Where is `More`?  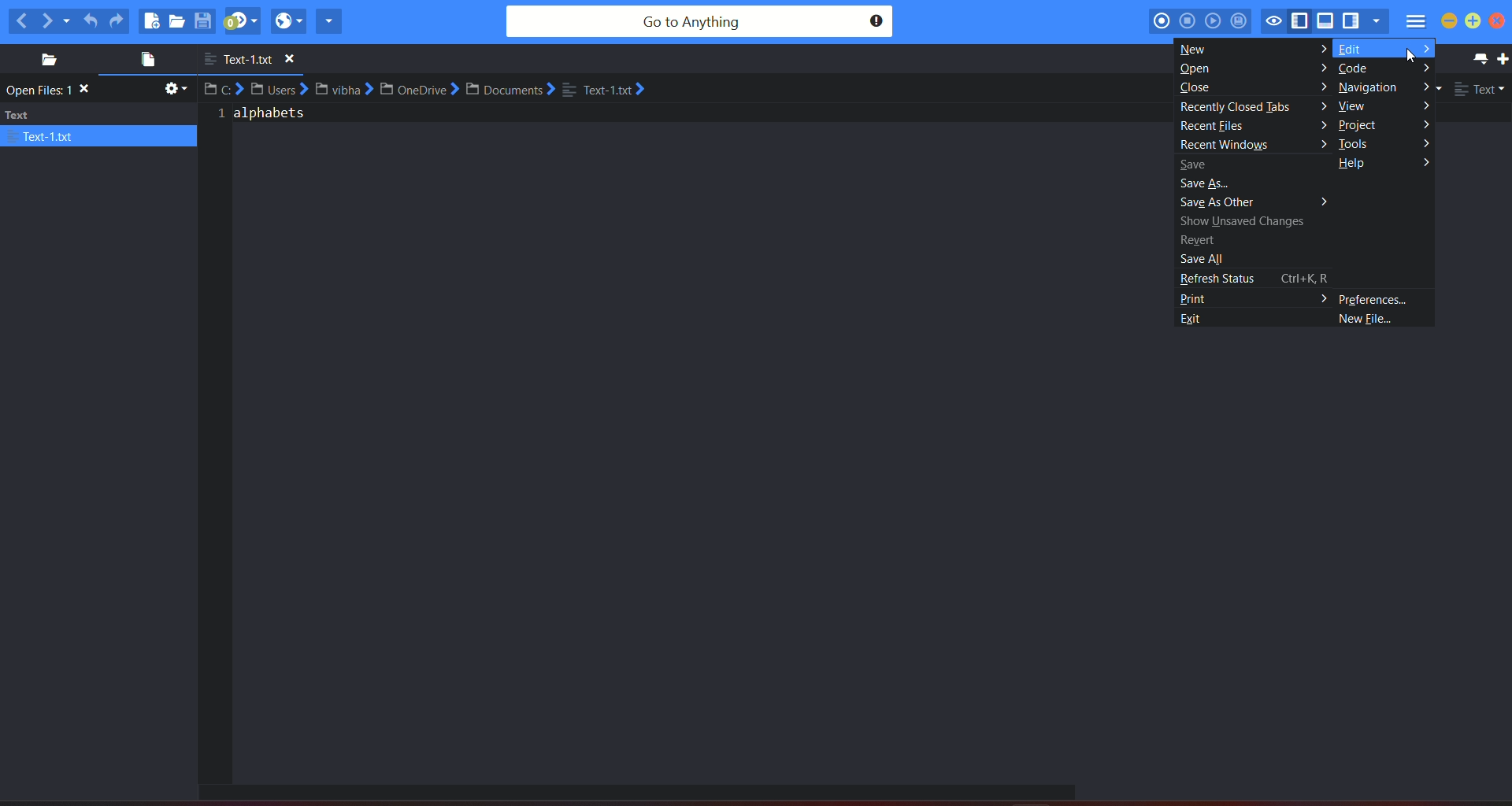
More is located at coordinates (1319, 68).